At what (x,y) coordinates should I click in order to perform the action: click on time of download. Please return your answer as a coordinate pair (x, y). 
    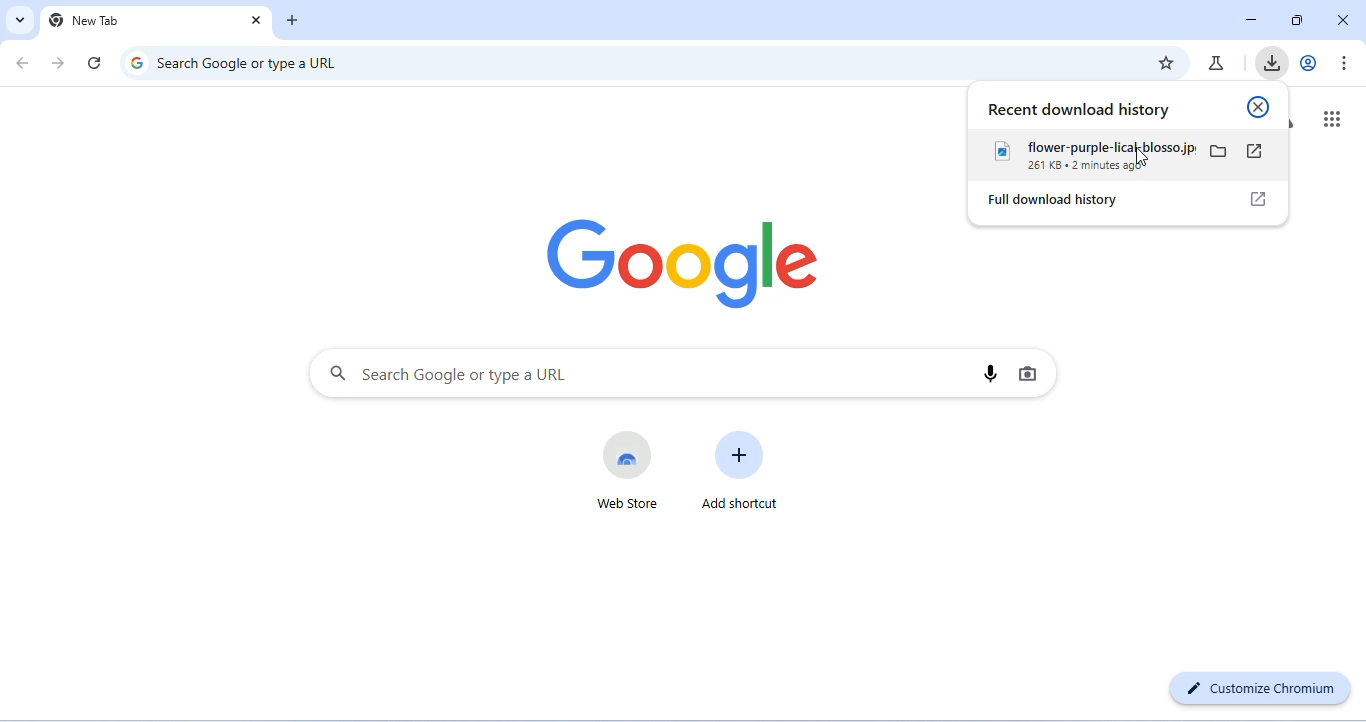
    Looking at the image, I should click on (1112, 169).